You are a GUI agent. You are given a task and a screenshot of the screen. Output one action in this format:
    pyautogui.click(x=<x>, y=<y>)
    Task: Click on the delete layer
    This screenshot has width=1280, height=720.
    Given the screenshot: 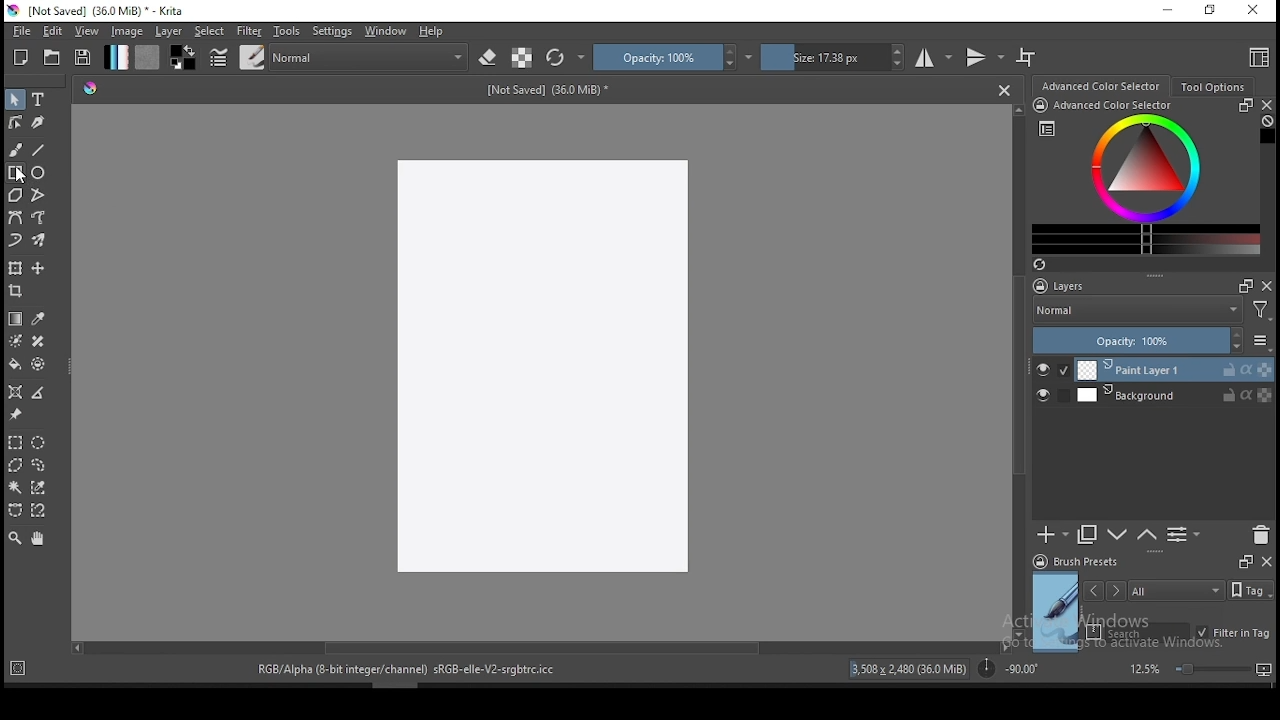 What is the action you would take?
    pyautogui.click(x=1260, y=536)
    